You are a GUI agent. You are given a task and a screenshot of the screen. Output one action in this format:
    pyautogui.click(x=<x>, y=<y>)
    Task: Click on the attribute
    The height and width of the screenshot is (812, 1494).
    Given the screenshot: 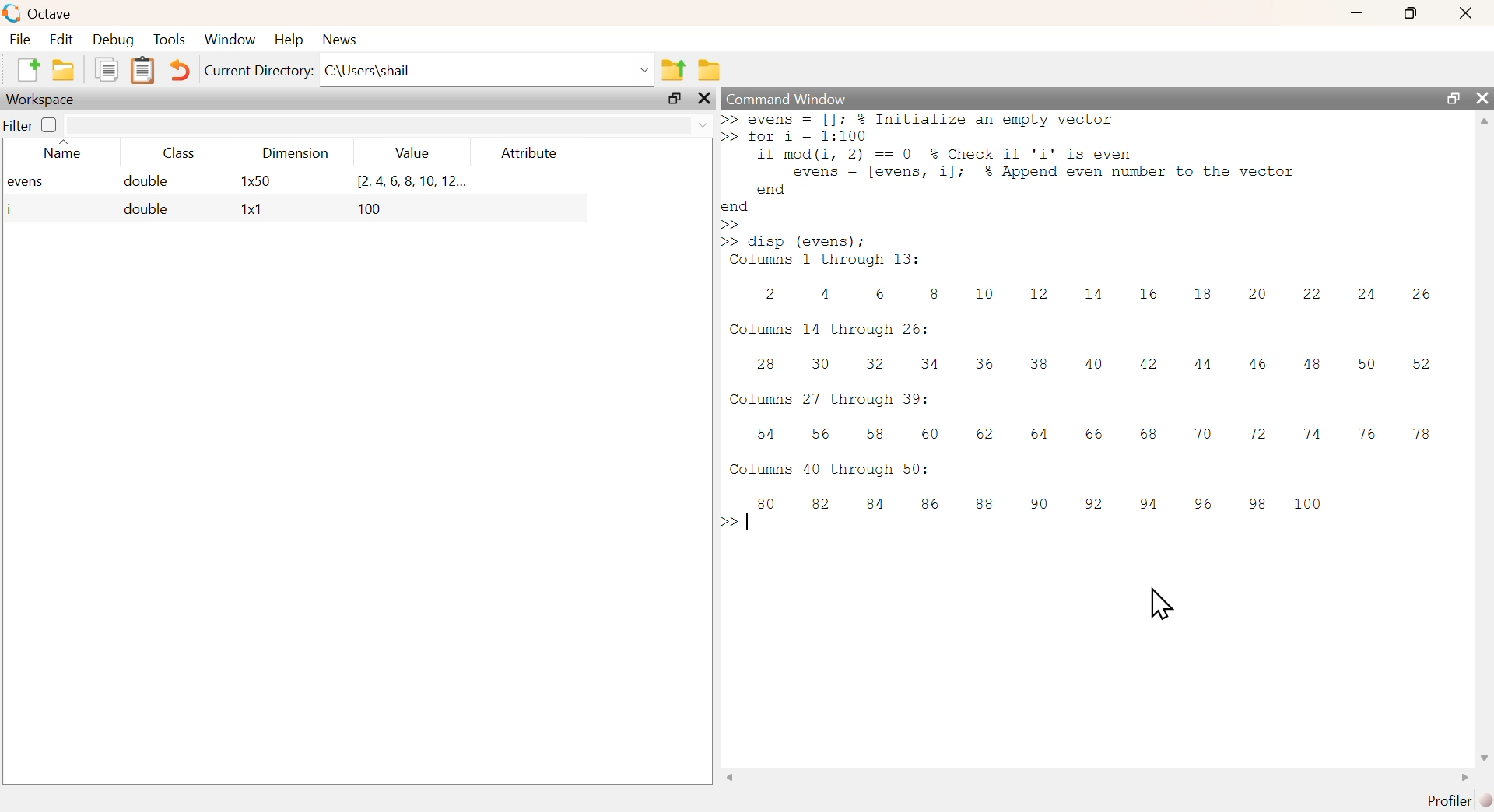 What is the action you would take?
    pyautogui.click(x=528, y=154)
    